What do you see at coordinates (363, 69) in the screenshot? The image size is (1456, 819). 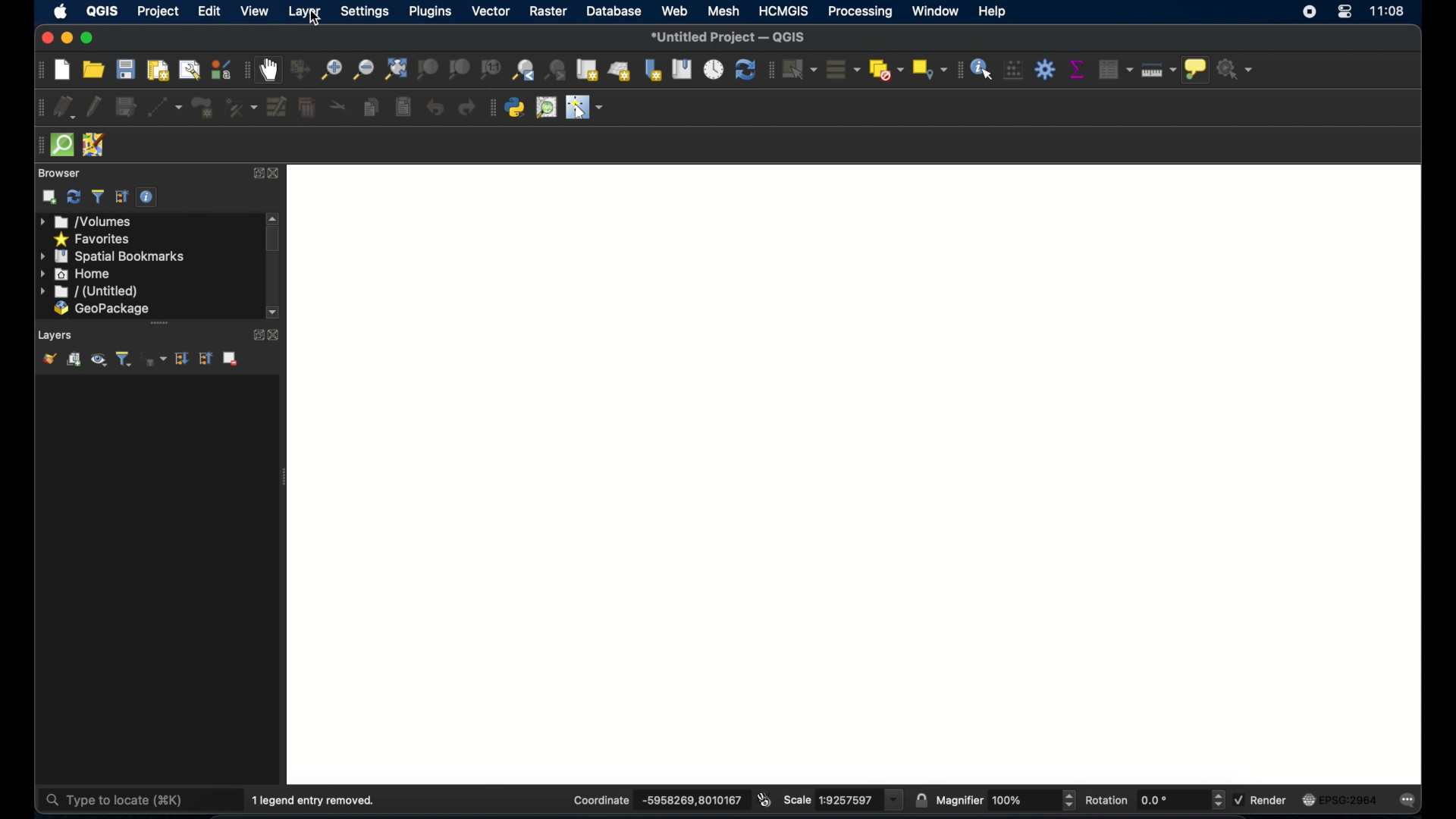 I see `zoom out` at bounding box center [363, 69].